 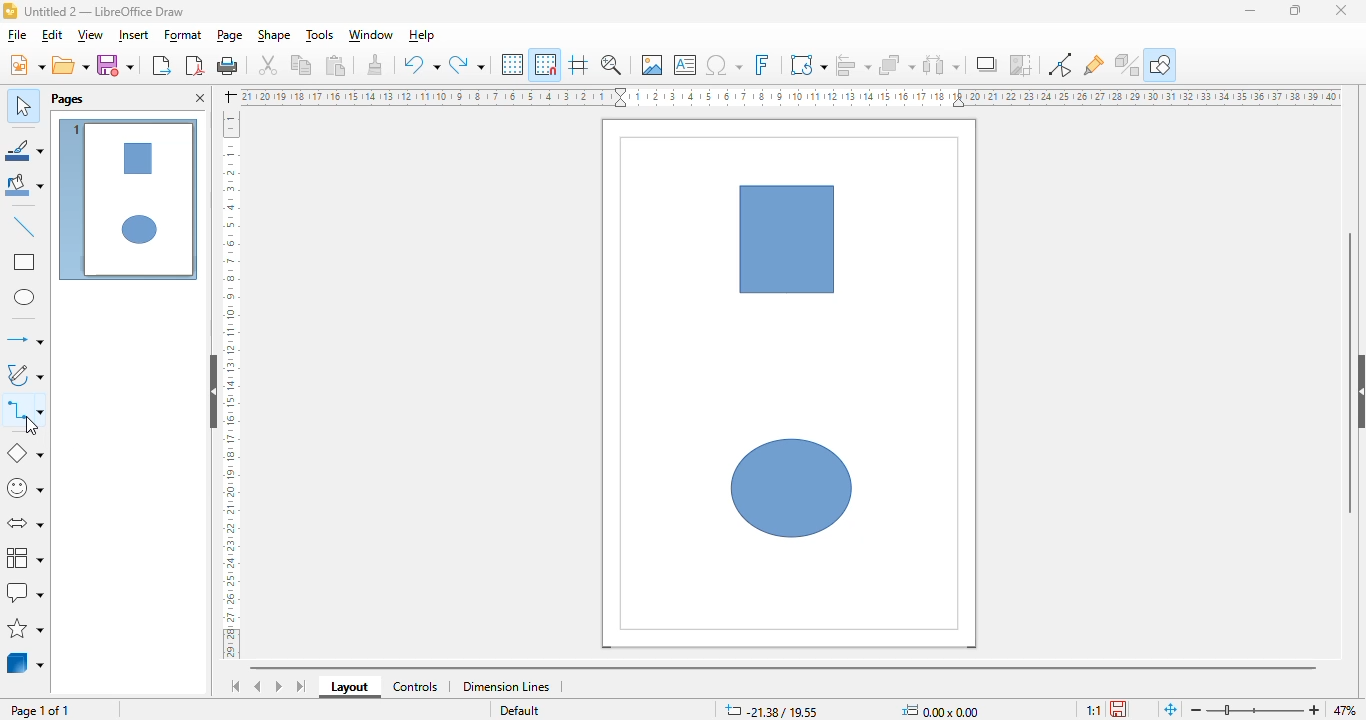 What do you see at coordinates (773, 710) in the screenshot?
I see `-21.38/19.55` at bounding box center [773, 710].